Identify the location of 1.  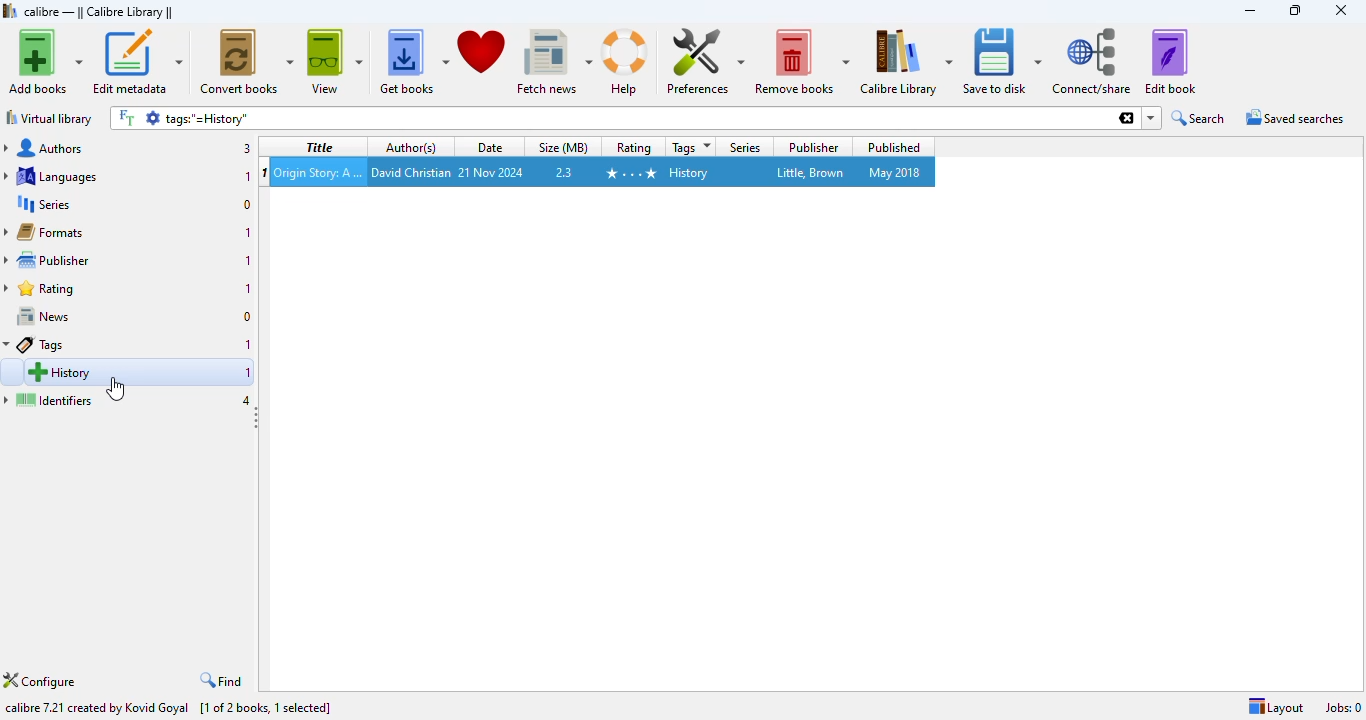
(248, 289).